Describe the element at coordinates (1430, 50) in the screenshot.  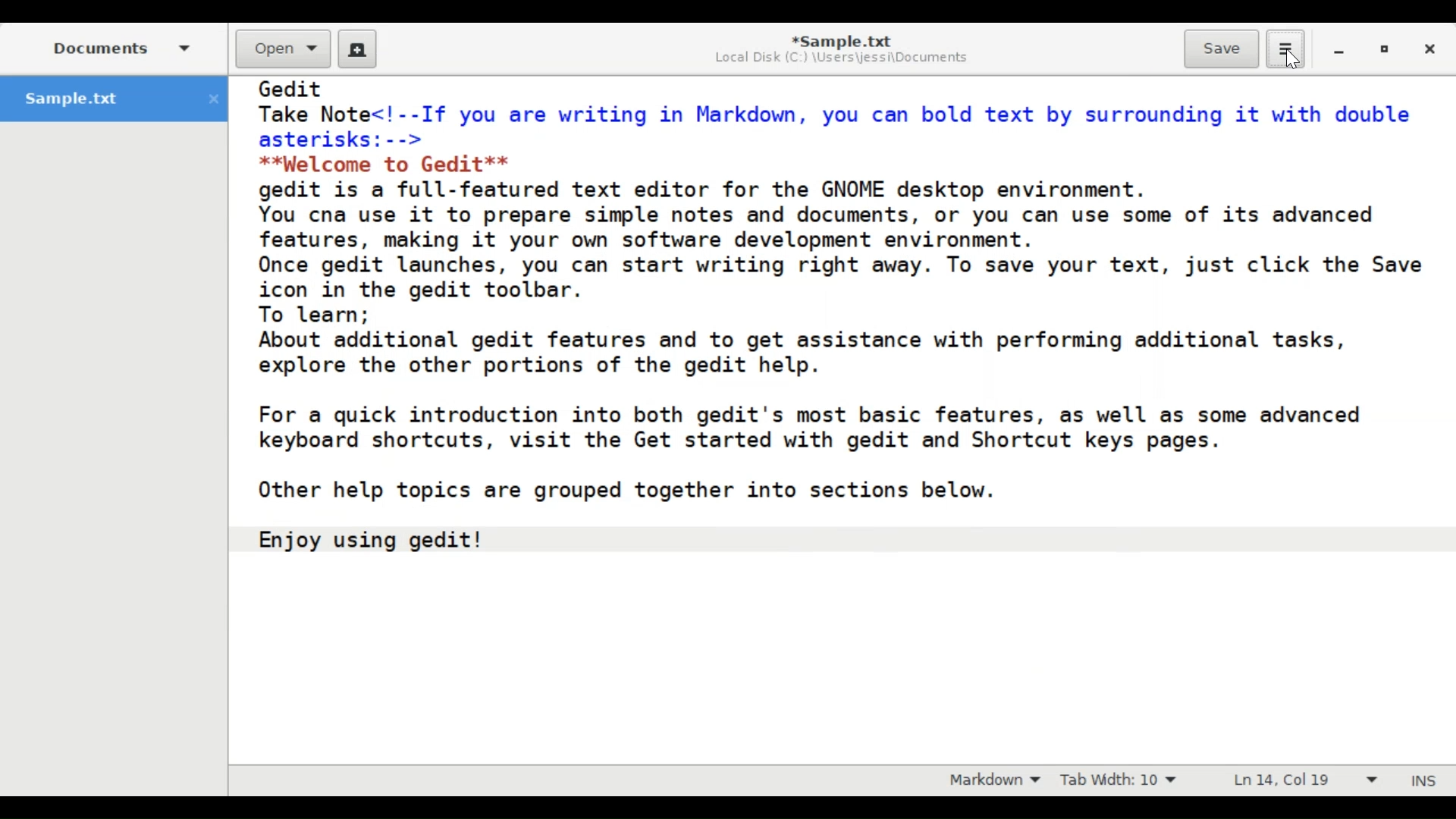
I see `Close` at that location.